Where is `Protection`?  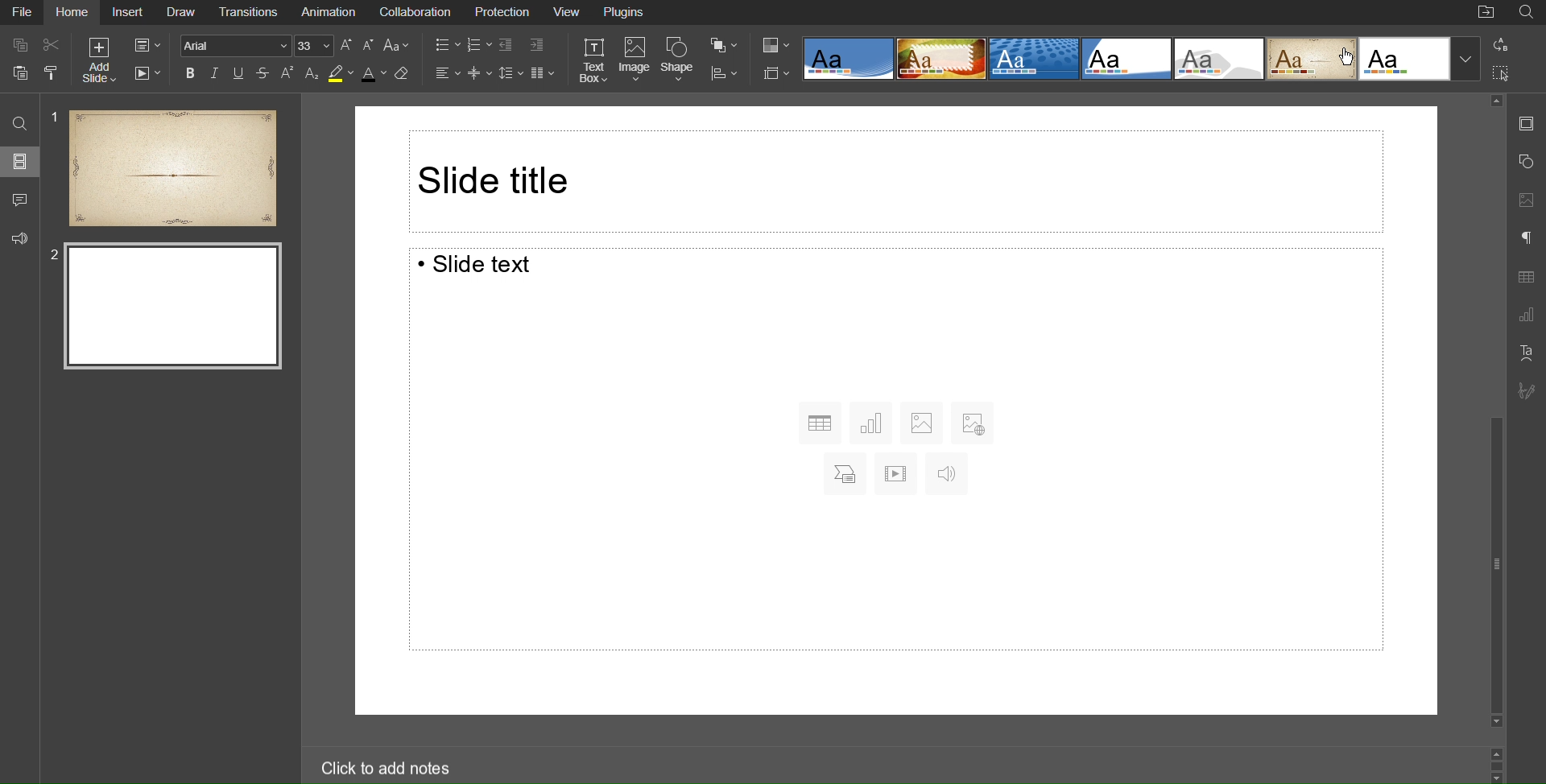
Protection is located at coordinates (501, 14).